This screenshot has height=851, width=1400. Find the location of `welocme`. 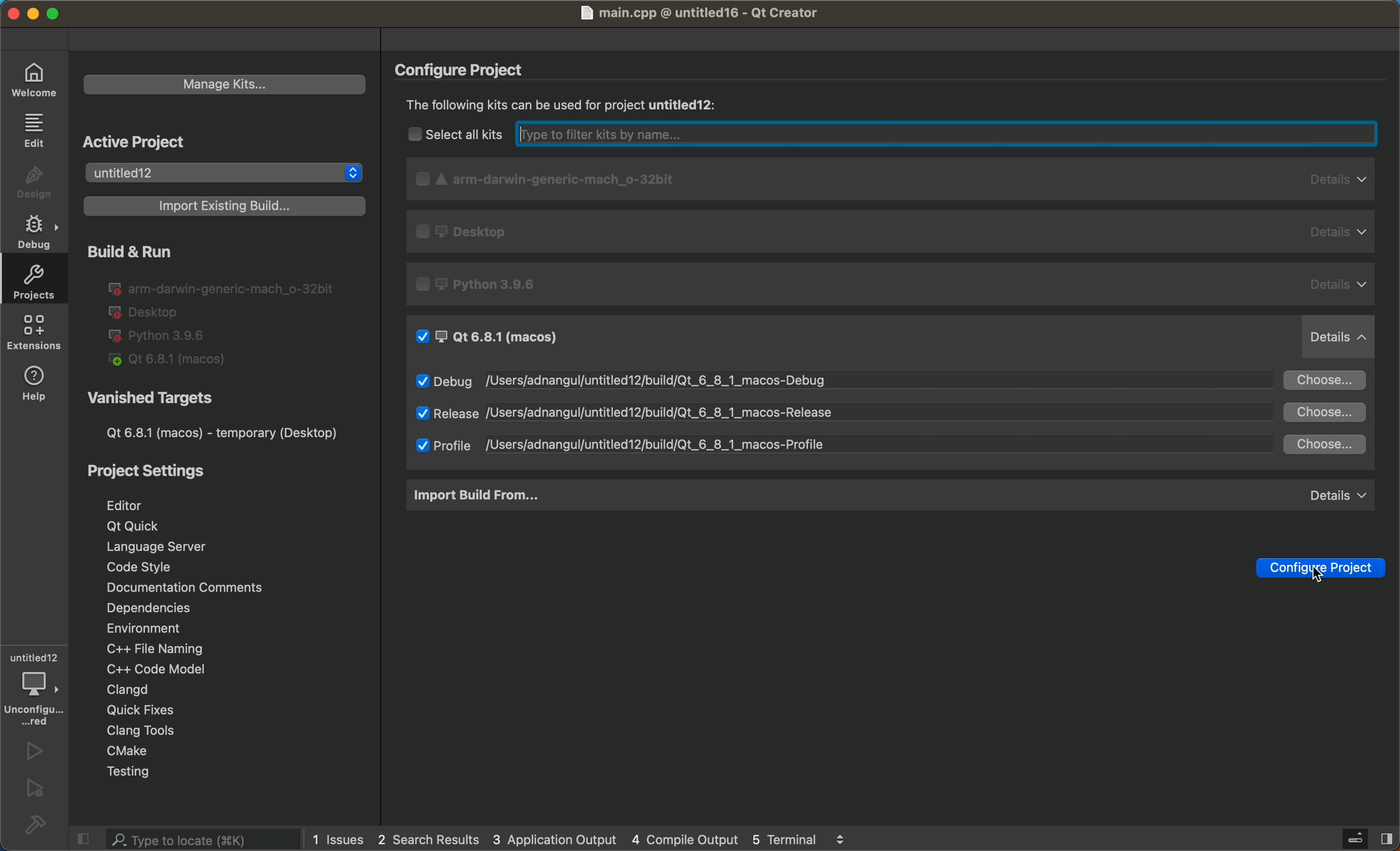

welocme is located at coordinates (32, 82).